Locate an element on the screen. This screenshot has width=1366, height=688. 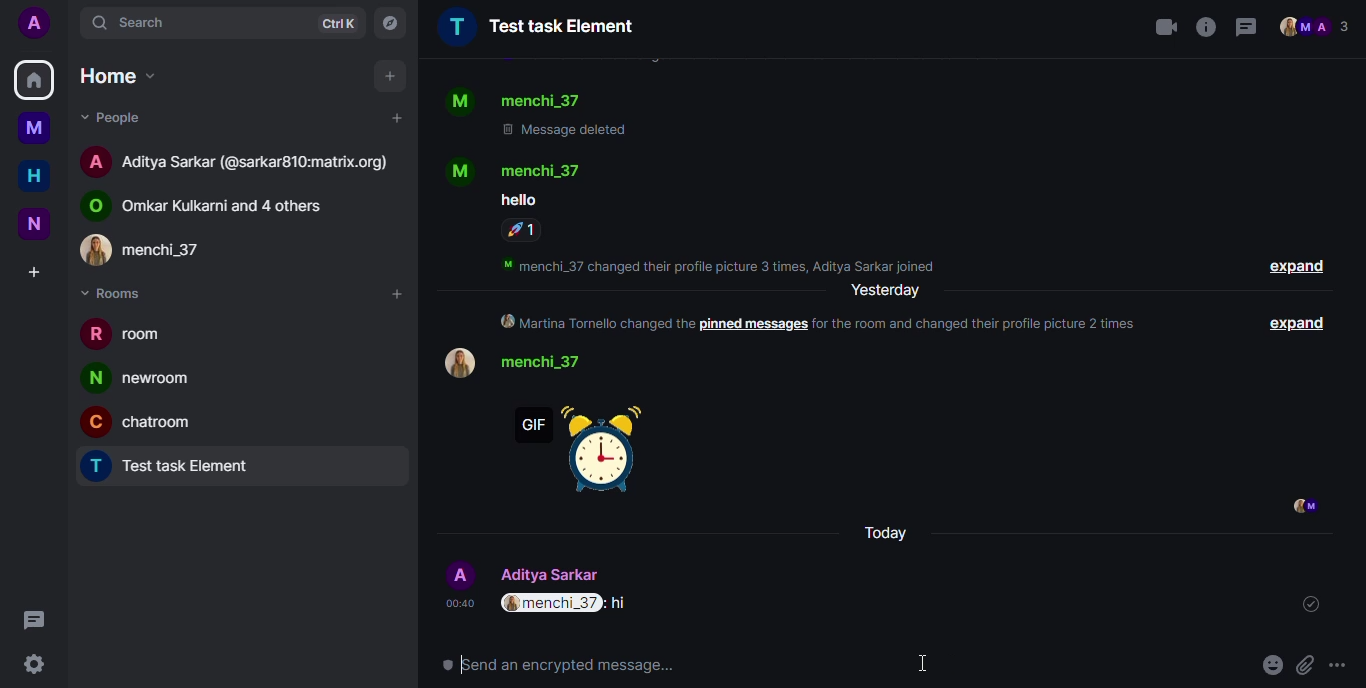
info is located at coordinates (727, 265).